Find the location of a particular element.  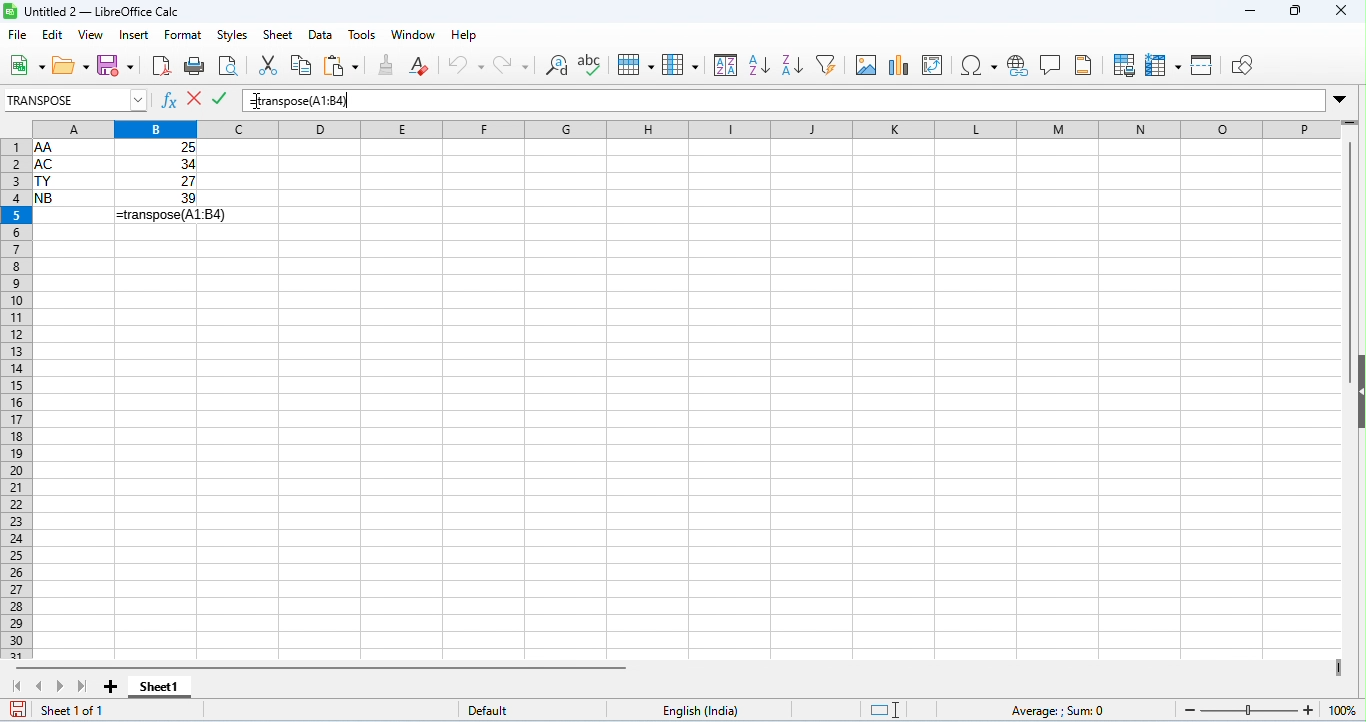

format is located at coordinates (184, 35).